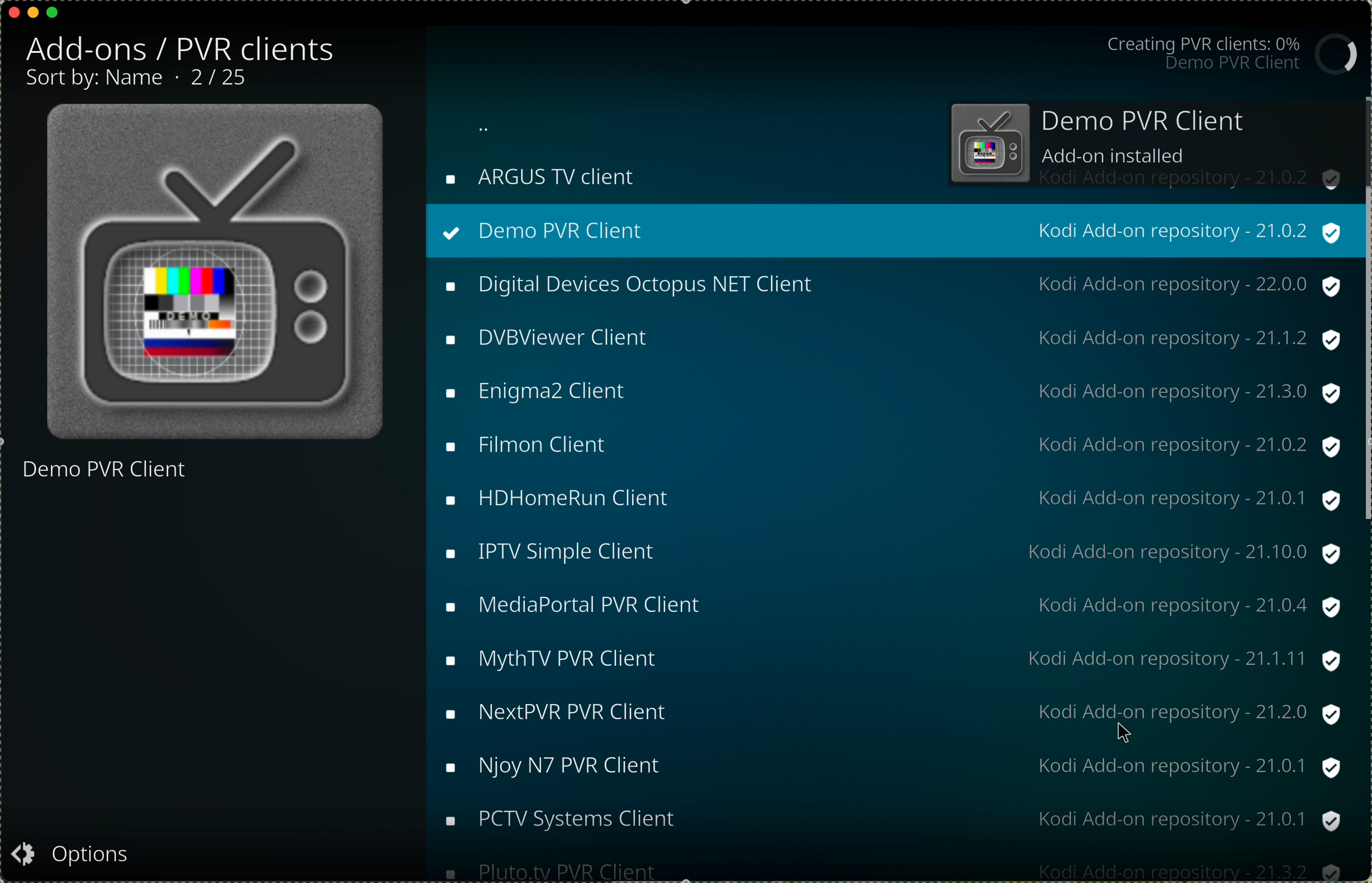 The image size is (1372, 883). What do you see at coordinates (889, 714) in the screenshot?
I see `` at bounding box center [889, 714].